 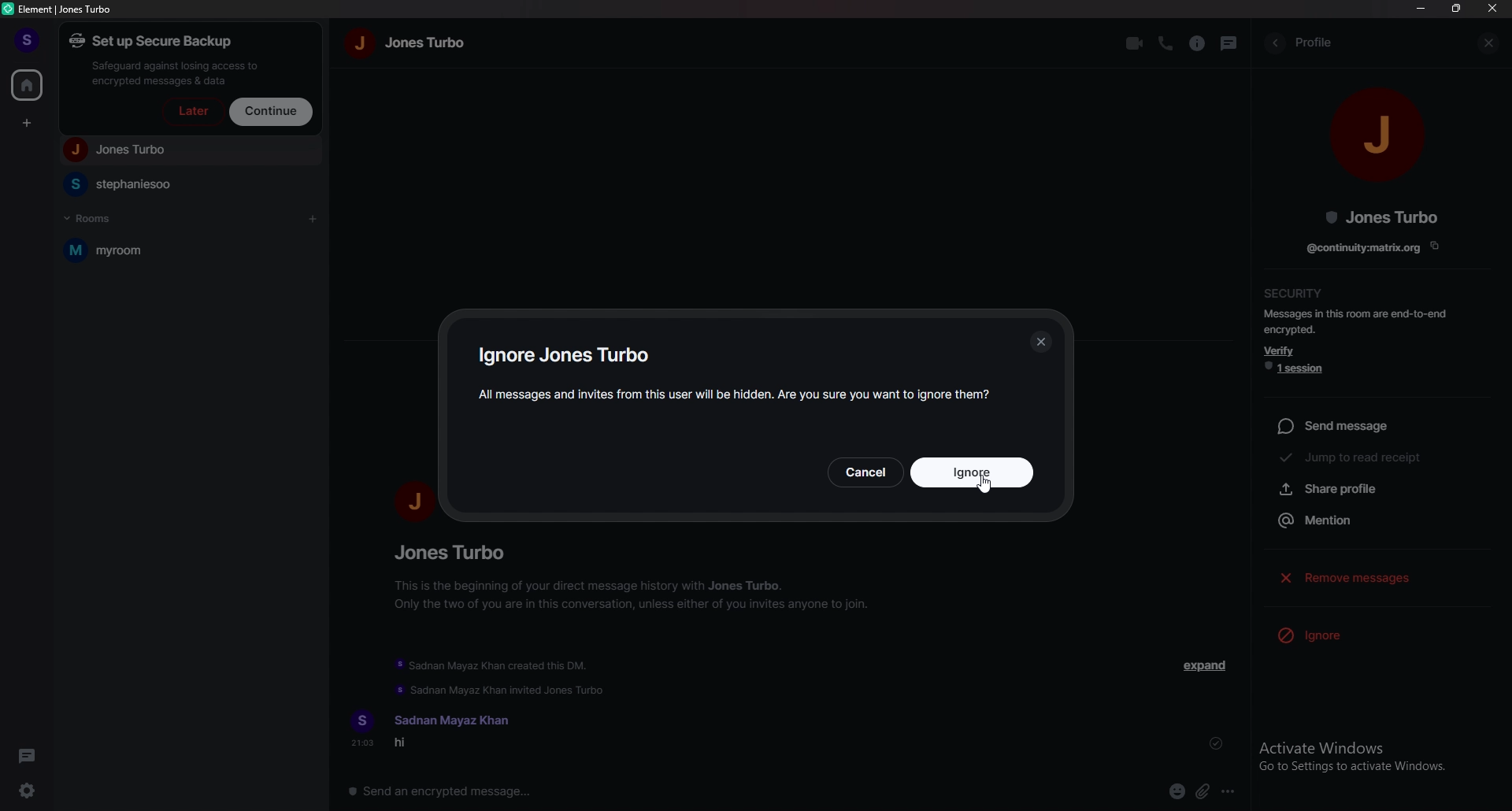 I want to click on profile, so click(x=1314, y=41).